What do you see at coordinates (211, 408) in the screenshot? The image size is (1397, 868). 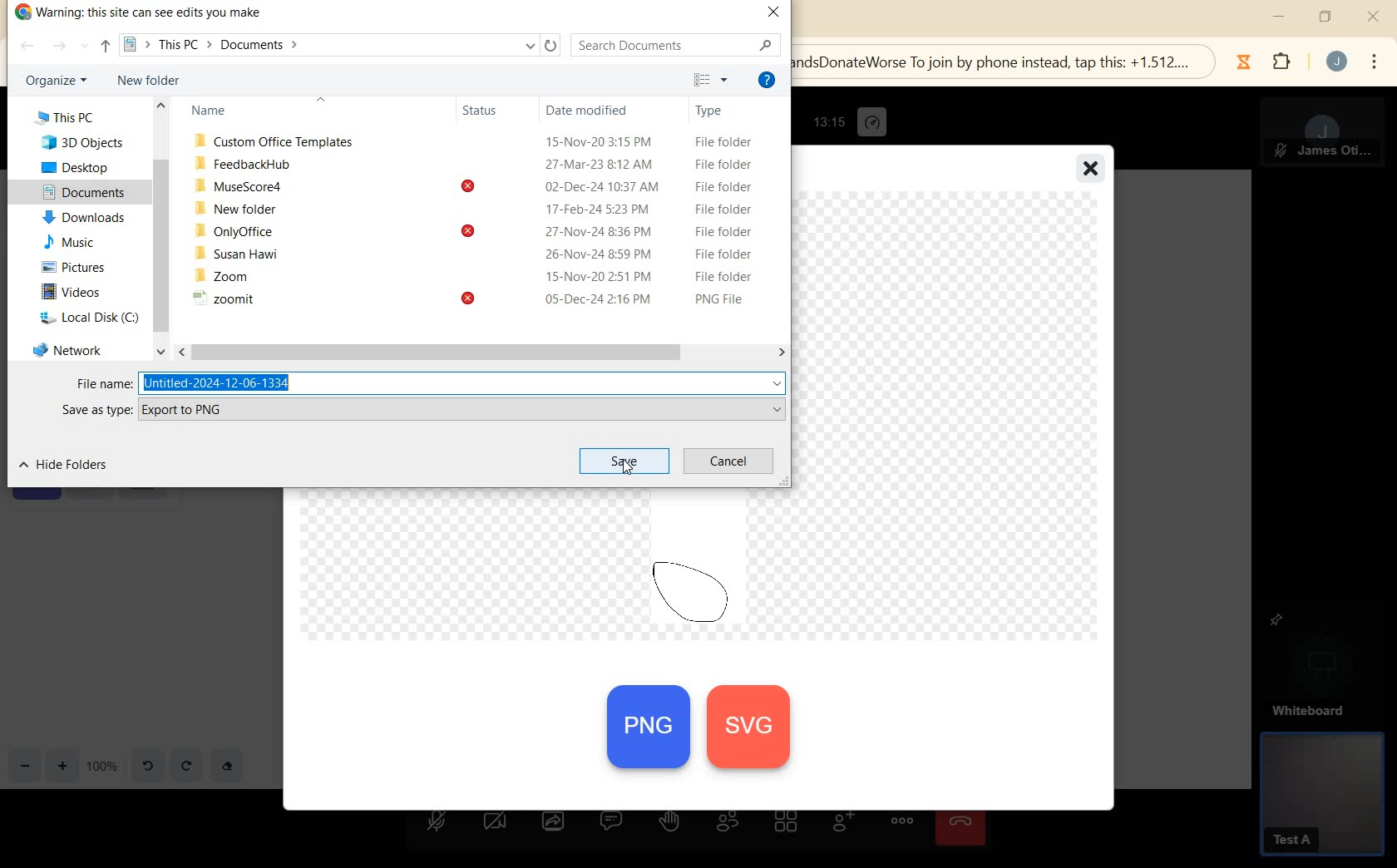 I see `Export to PNG` at bounding box center [211, 408].